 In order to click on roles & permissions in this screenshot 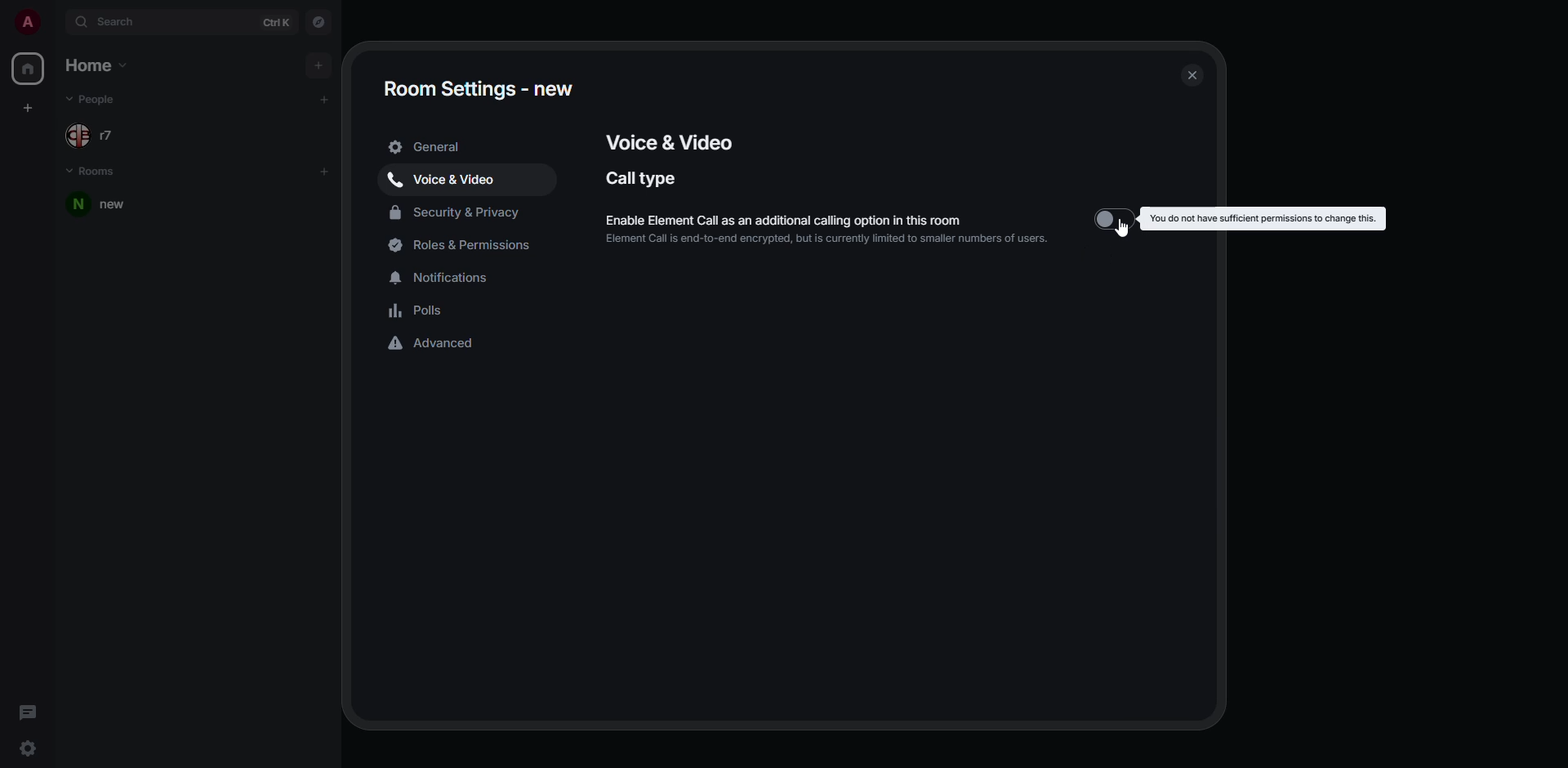, I will do `click(464, 247)`.